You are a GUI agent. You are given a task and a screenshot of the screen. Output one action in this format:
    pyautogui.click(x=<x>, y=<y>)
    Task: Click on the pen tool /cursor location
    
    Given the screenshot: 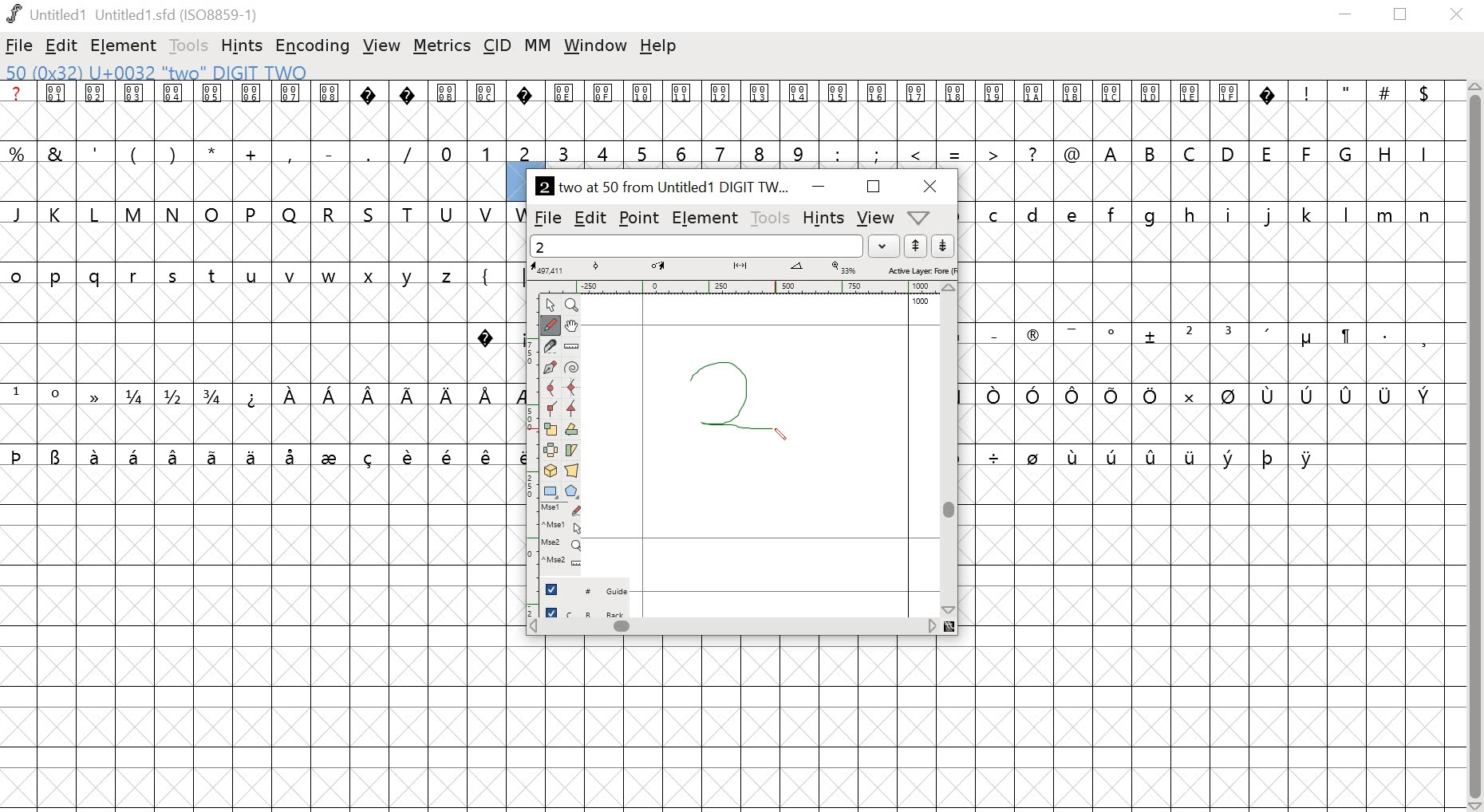 What is the action you would take?
    pyautogui.click(x=782, y=428)
    